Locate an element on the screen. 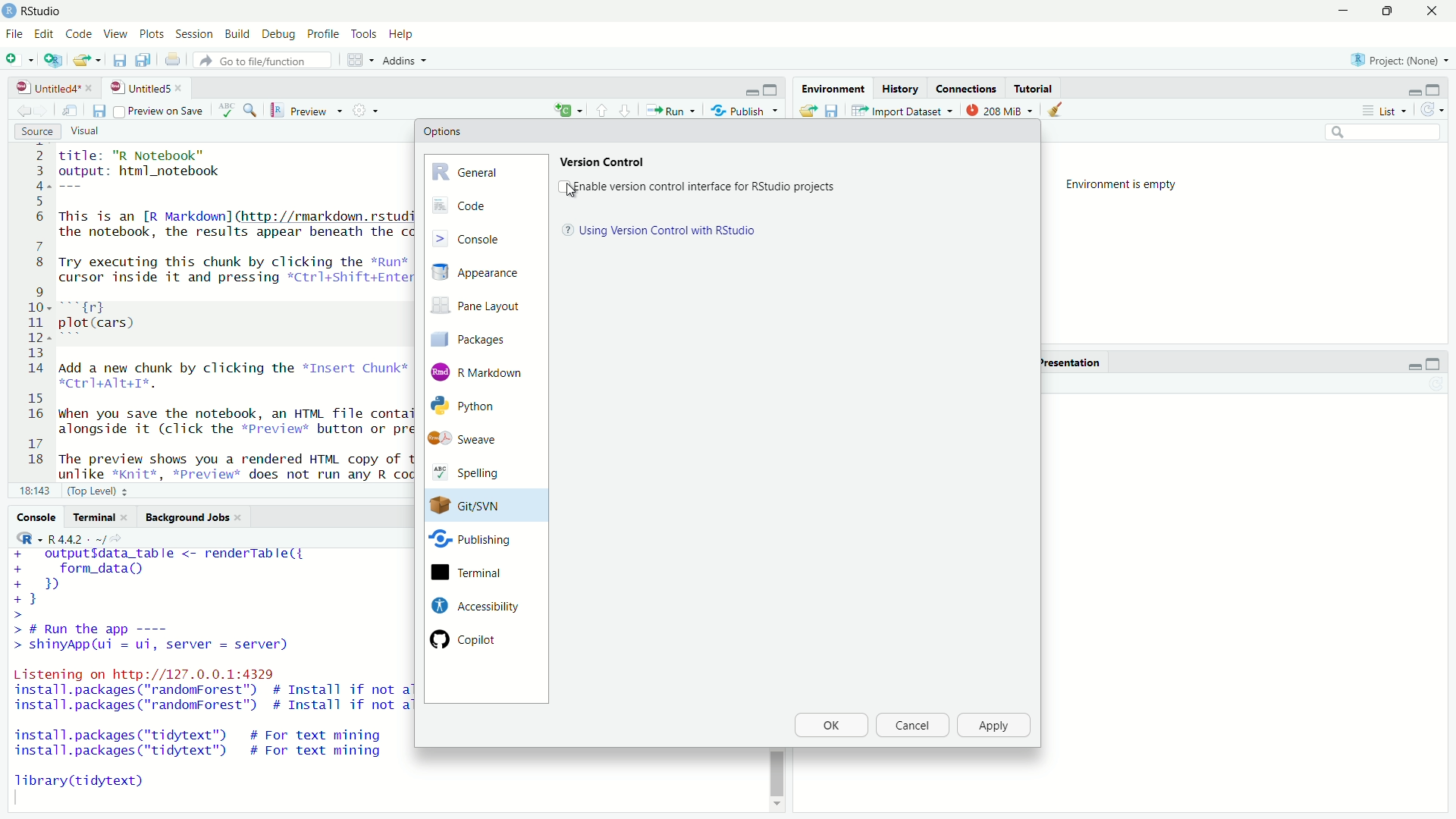 This screenshot has height=819, width=1456. Terminal is located at coordinates (100, 517).